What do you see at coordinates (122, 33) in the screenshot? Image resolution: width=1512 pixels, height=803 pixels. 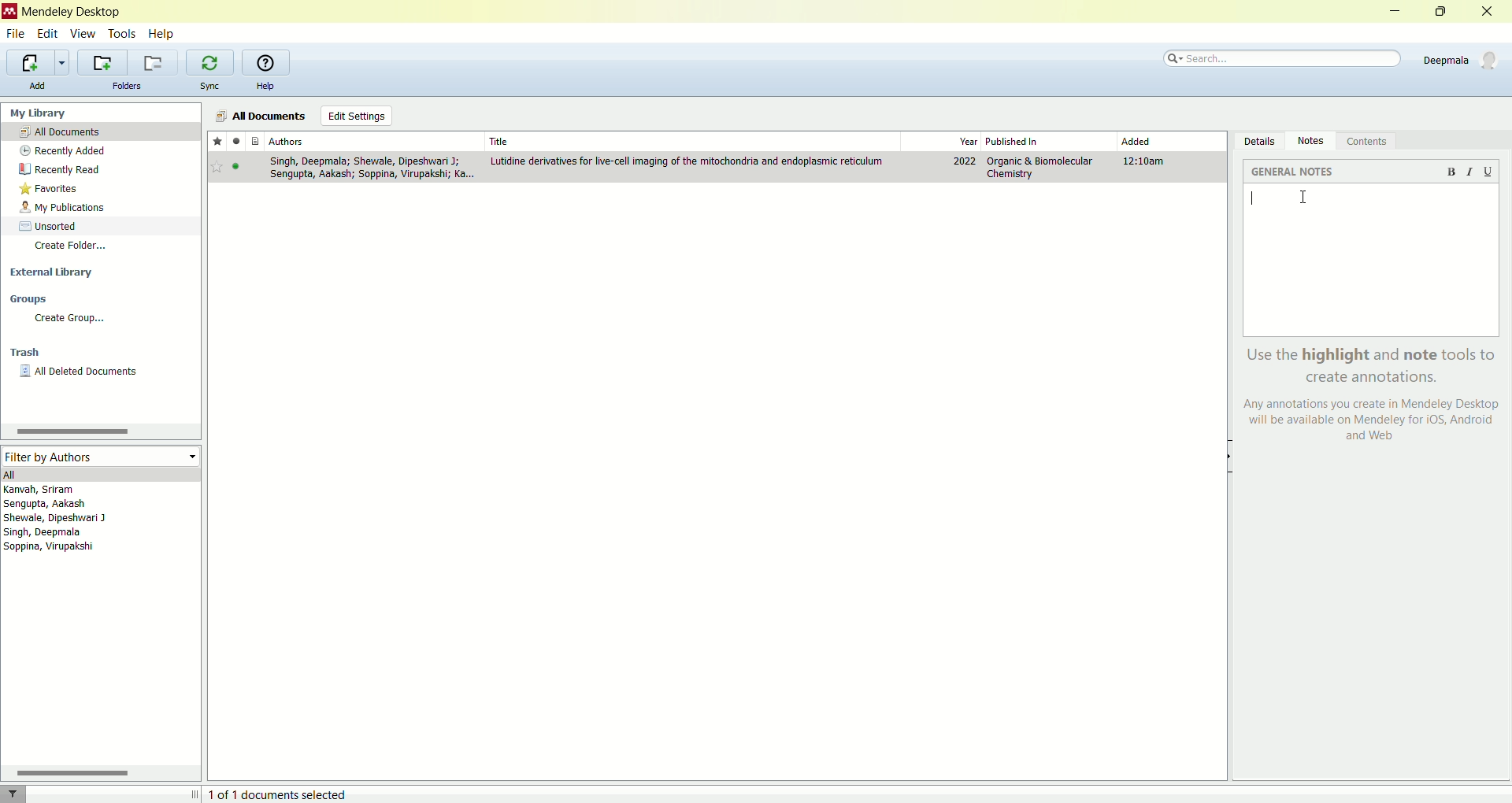 I see `tools` at bounding box center [122, 33].